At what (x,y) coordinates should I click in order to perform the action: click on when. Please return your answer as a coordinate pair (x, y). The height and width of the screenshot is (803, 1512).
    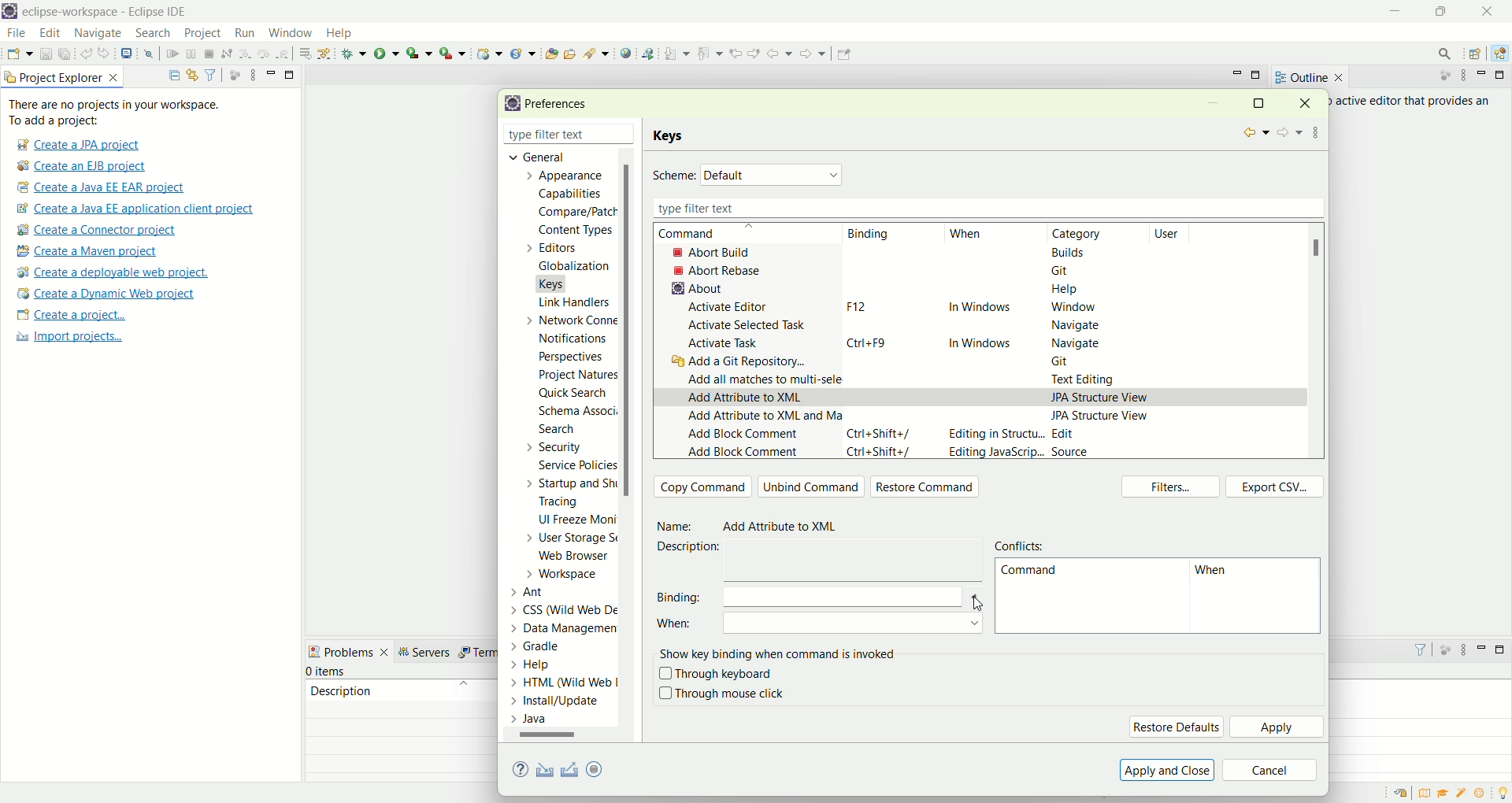
    Looking at the image, I should click on (825, 627).